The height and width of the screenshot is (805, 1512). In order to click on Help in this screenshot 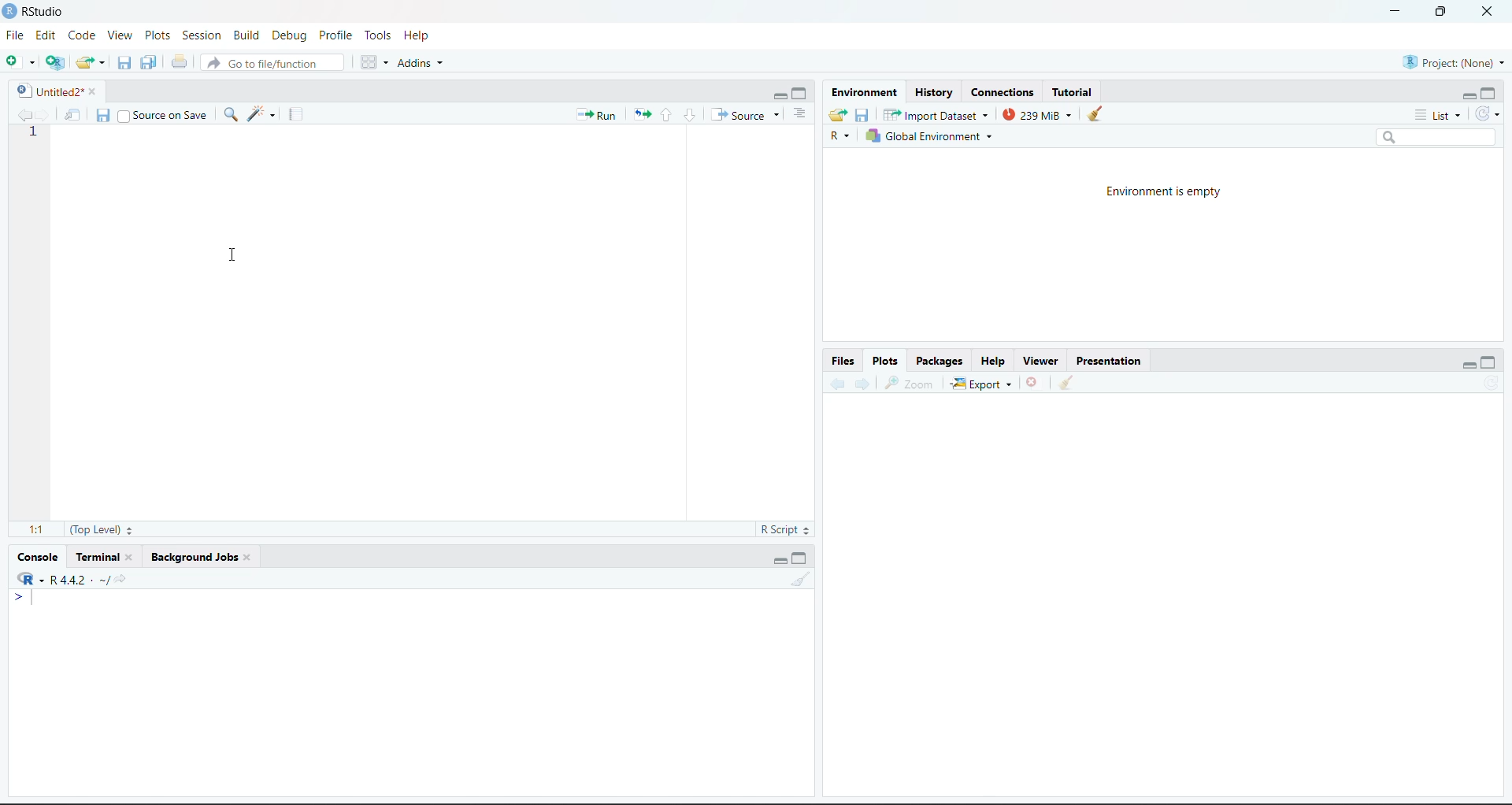, I will do `click(995, 361)`.